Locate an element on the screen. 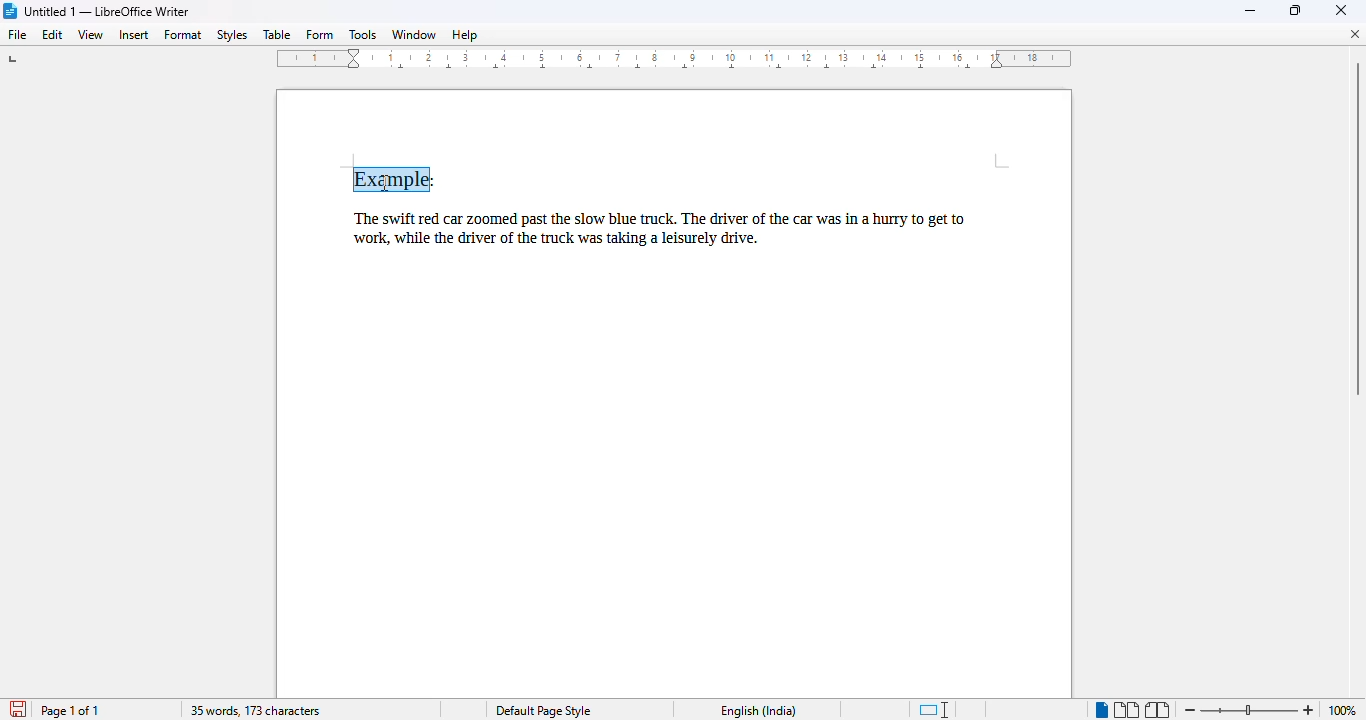 Image resolution: width=1366 pixels, height=720 pixels. insert is located at coordinates (133, 35).